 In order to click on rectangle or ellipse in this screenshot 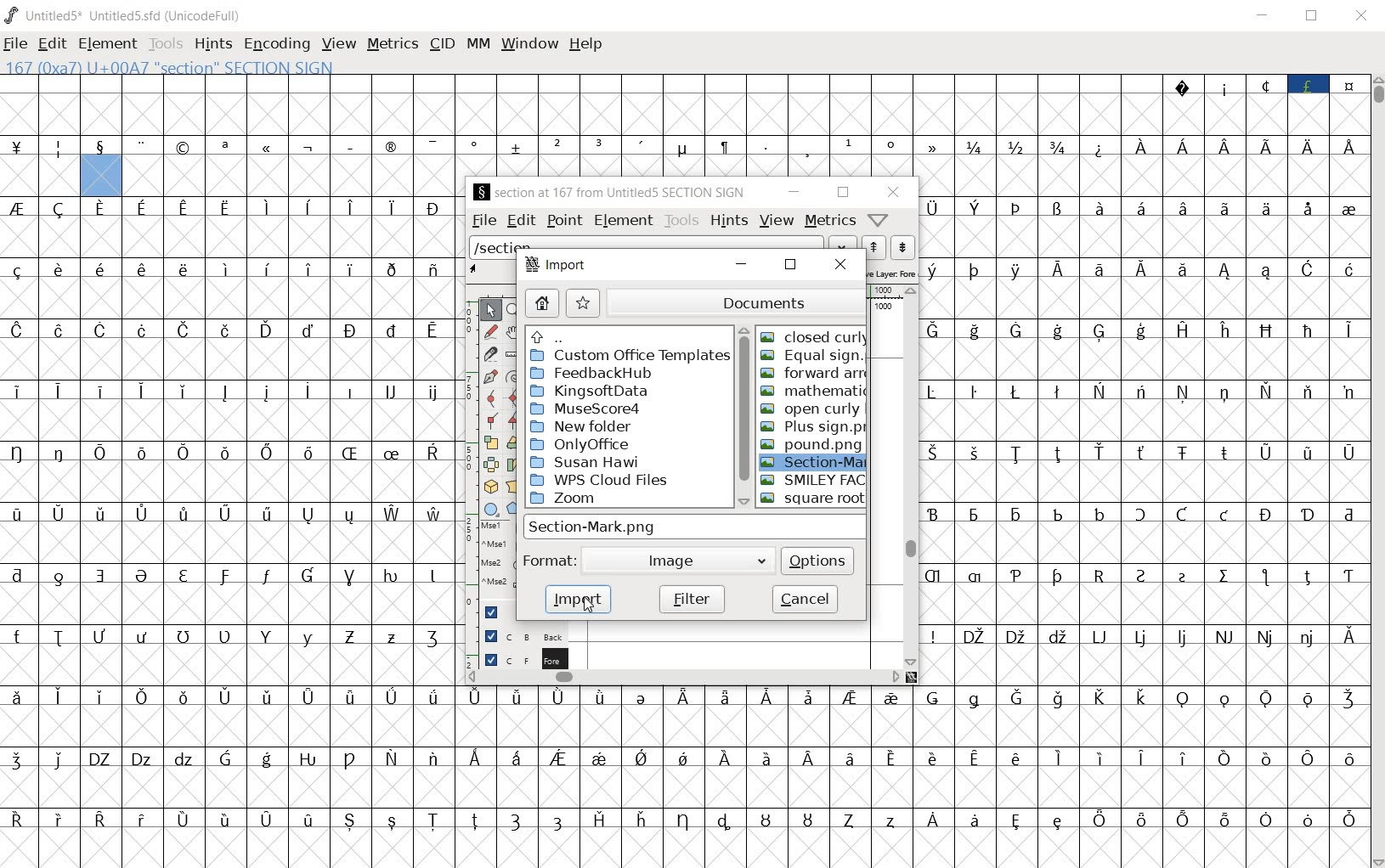, I will do `click(491, 510)`.